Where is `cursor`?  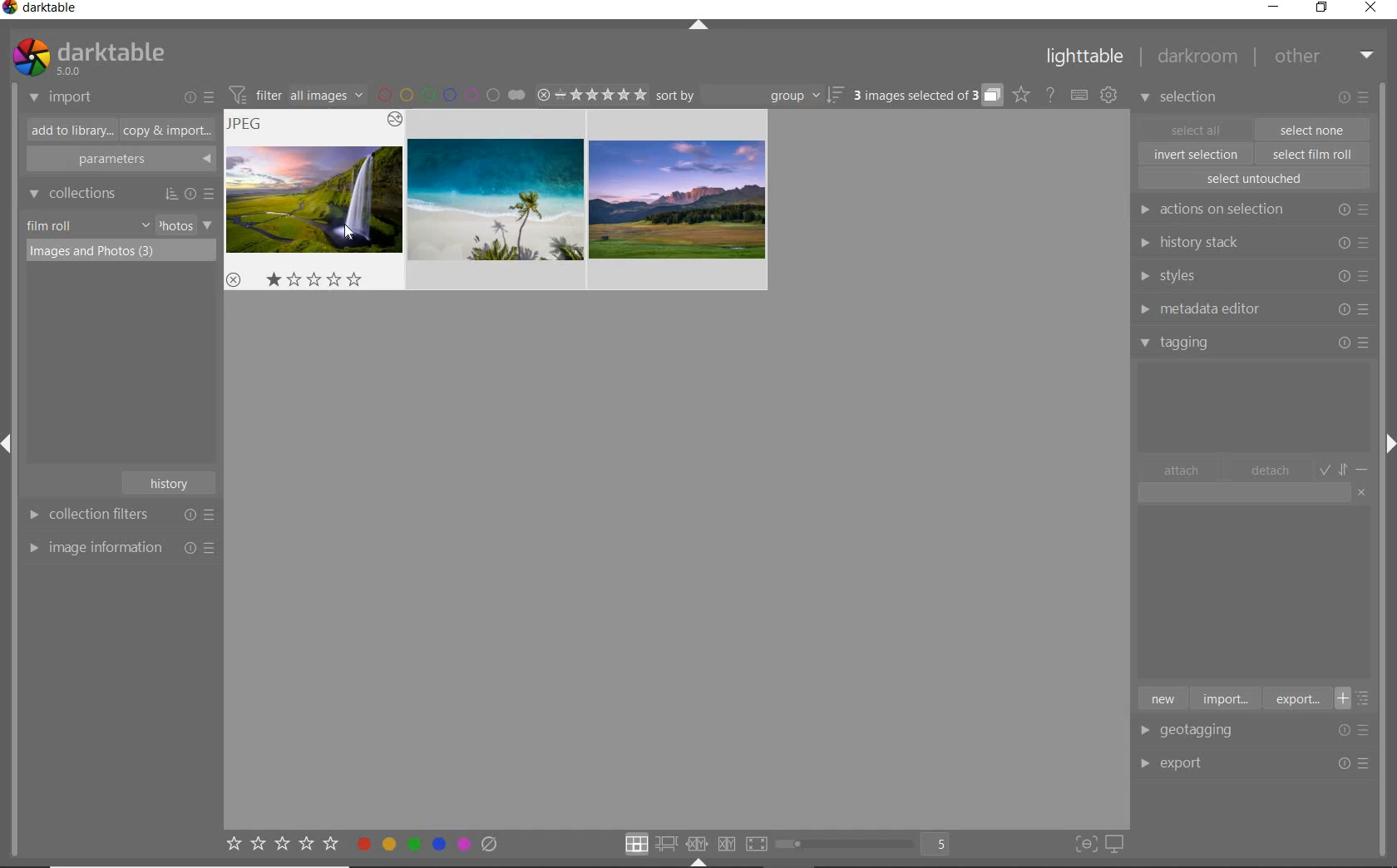
cursor is located at coordinates (345, 235).